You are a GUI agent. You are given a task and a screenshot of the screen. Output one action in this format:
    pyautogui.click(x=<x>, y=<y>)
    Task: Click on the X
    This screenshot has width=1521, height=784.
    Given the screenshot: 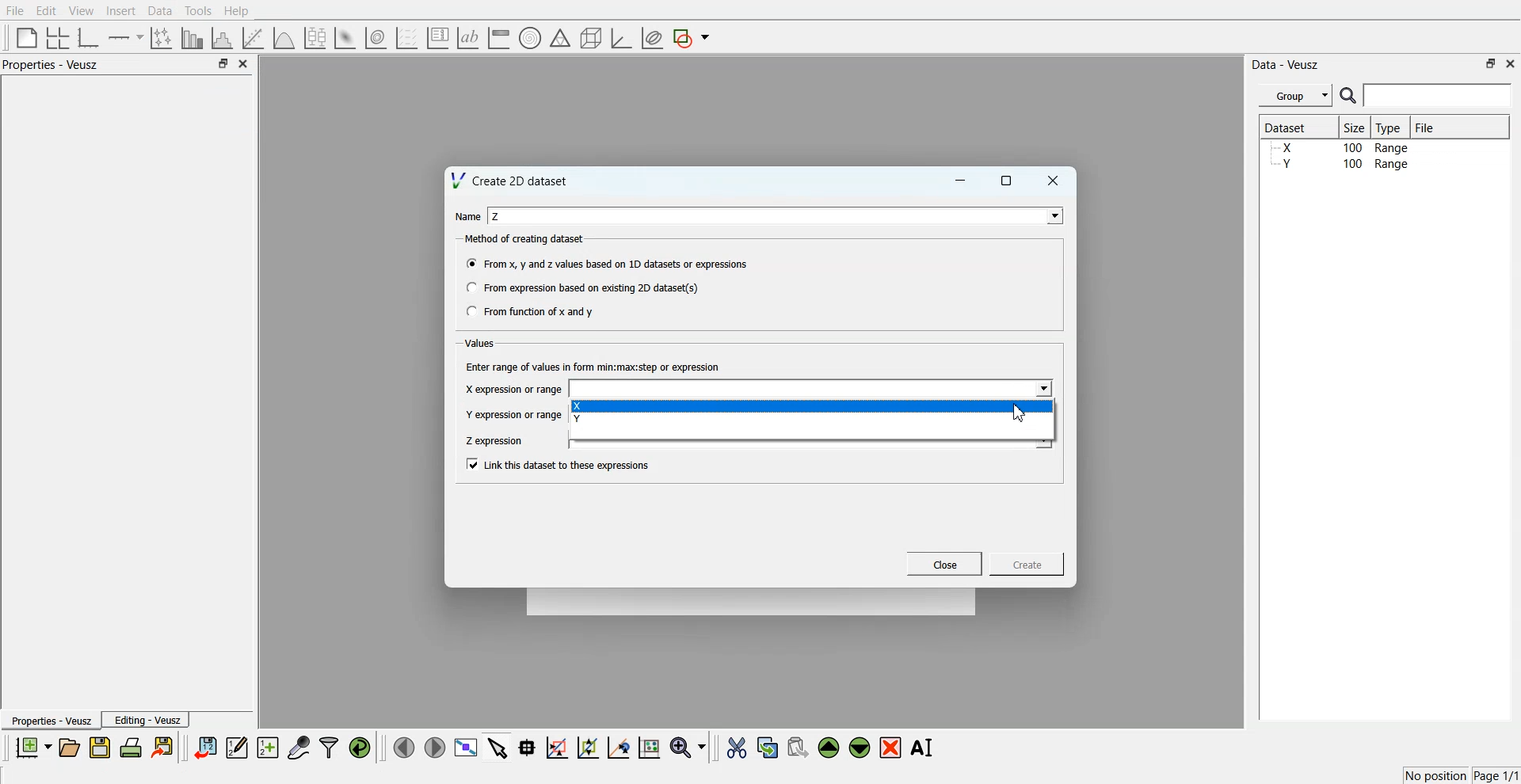 What is the action you would take?
    pyautogui.click(x=814, y=406)
    